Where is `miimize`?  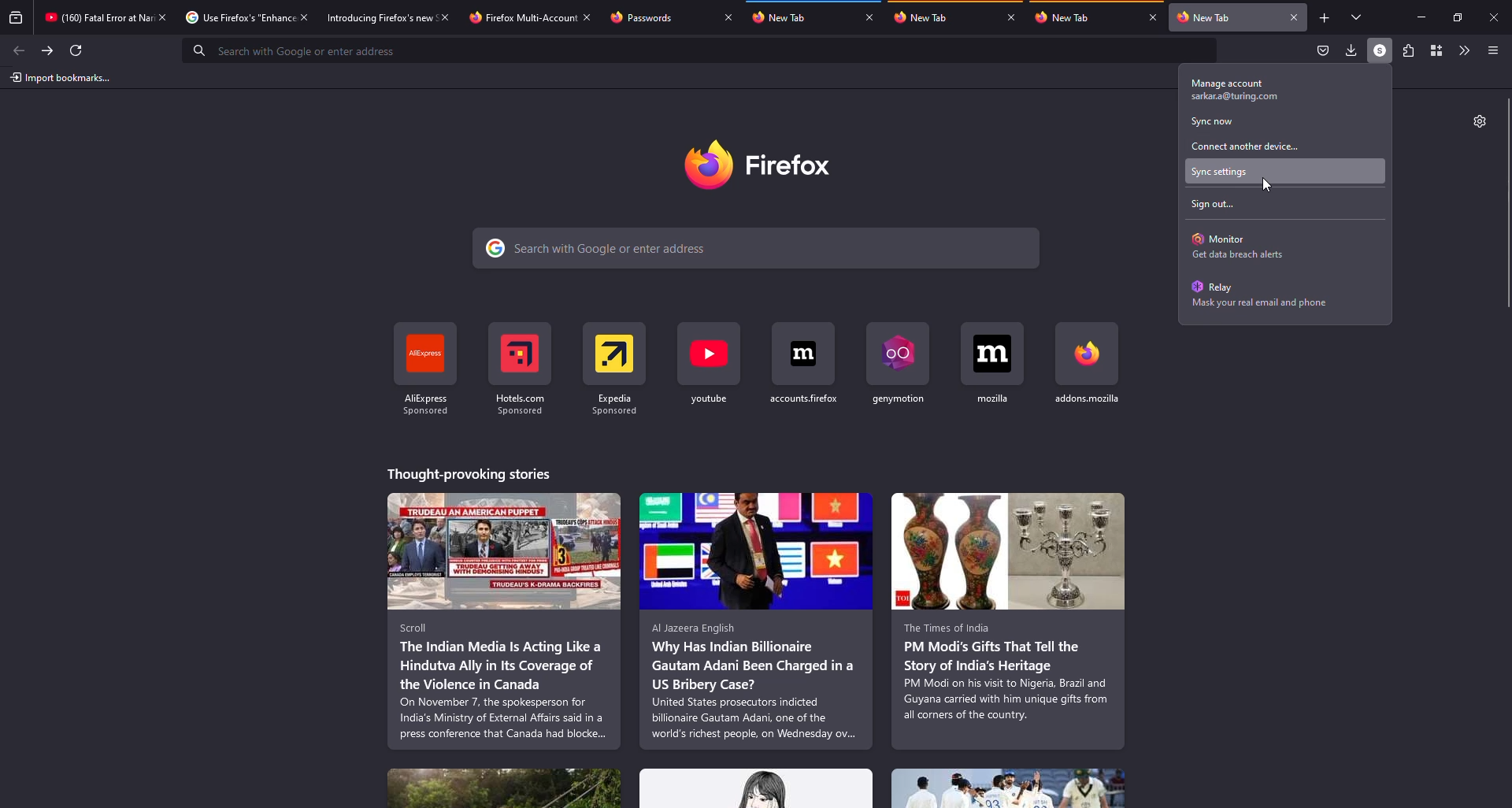
miimize is located at coordinates (1422, 17).